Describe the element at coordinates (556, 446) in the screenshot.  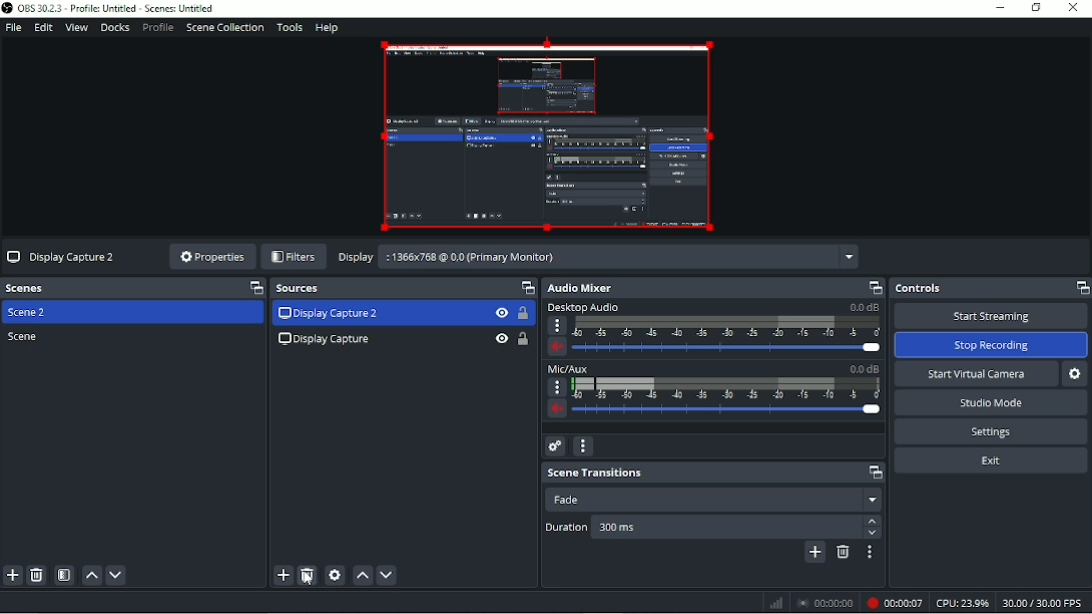
I see `Advanced audio properties` at that location.